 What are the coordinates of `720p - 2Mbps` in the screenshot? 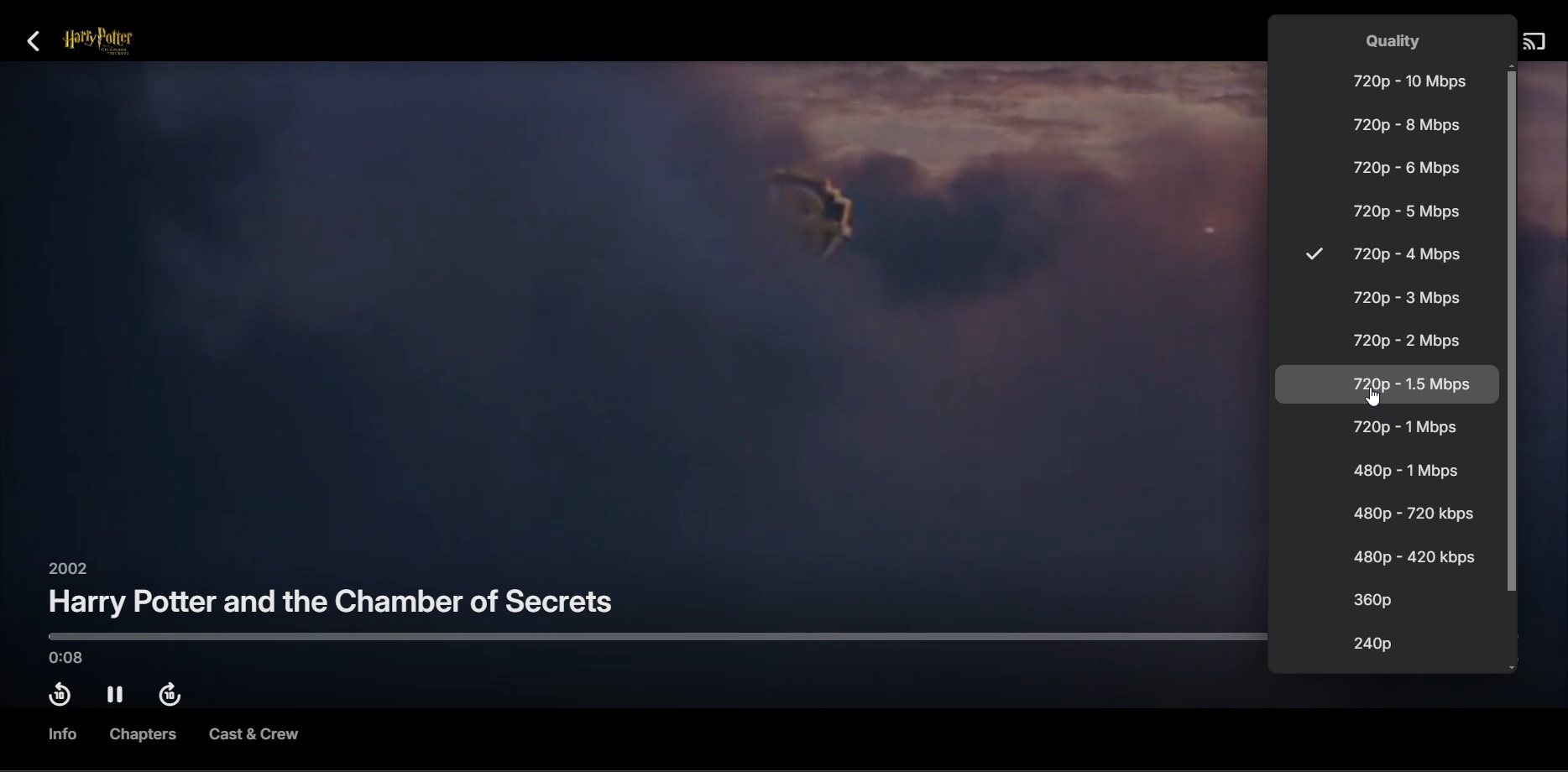 It's located at (1404, 340).